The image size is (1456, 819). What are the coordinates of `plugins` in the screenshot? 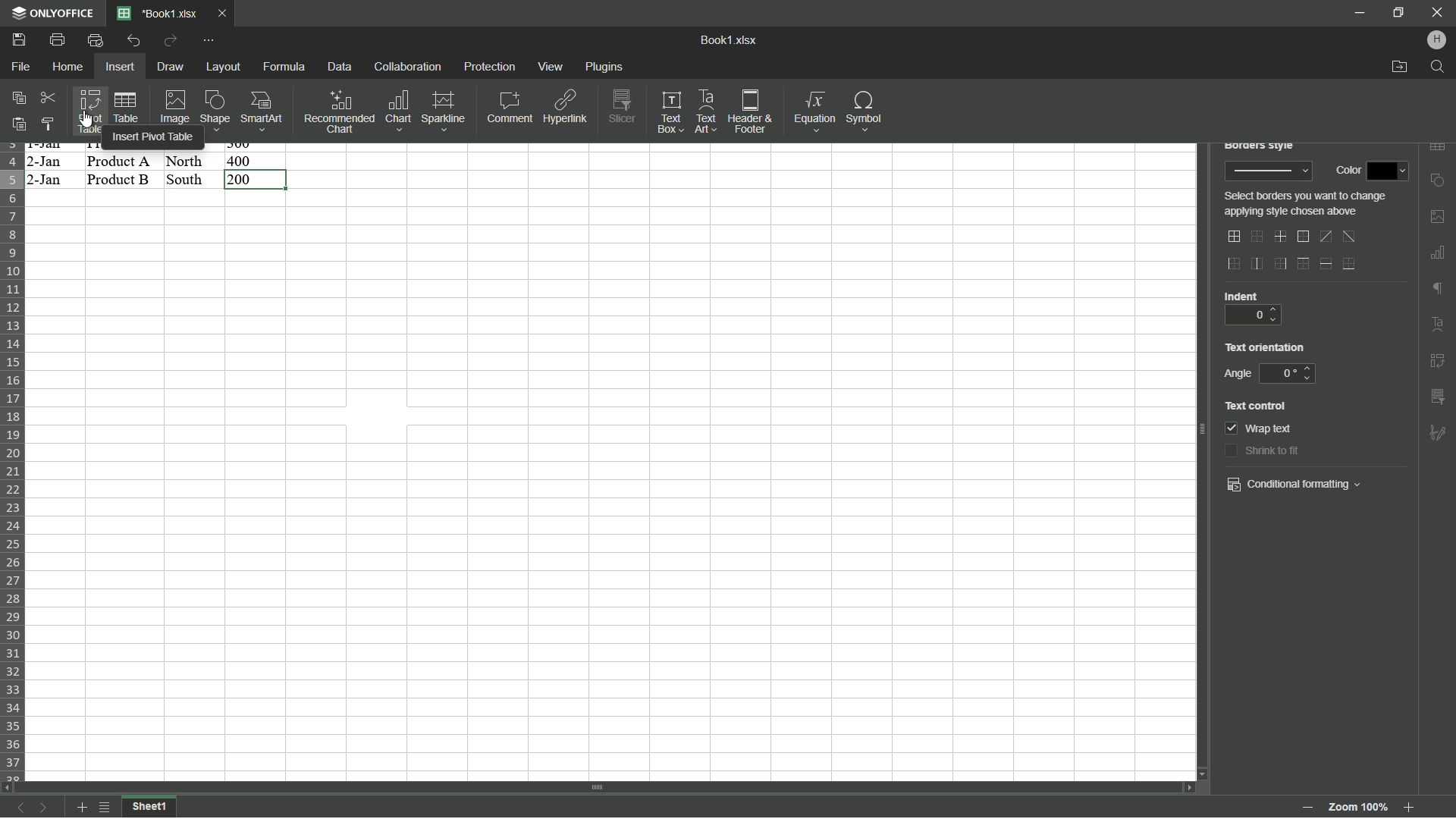 It's located at (604, 67).